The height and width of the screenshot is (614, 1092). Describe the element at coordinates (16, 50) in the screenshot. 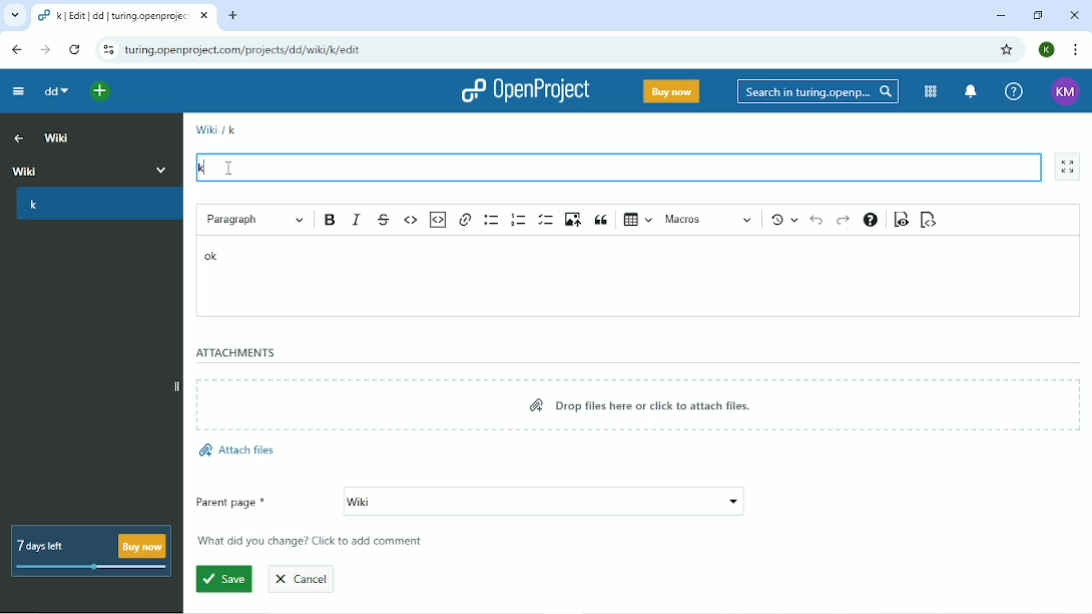

I see `Back` at that location.